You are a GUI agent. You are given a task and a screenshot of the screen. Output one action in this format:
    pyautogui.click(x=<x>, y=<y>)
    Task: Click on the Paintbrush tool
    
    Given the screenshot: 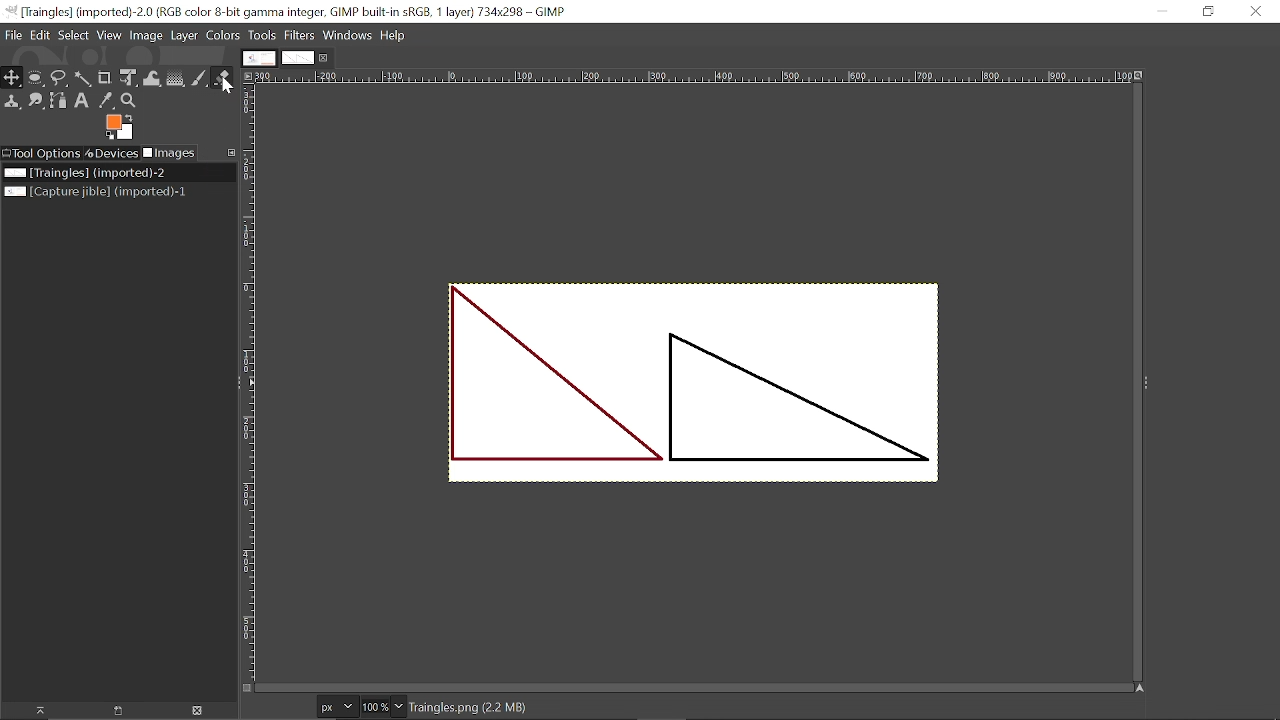 What is the action you would take?
    pyautogui.click(x=200, y=78)
    